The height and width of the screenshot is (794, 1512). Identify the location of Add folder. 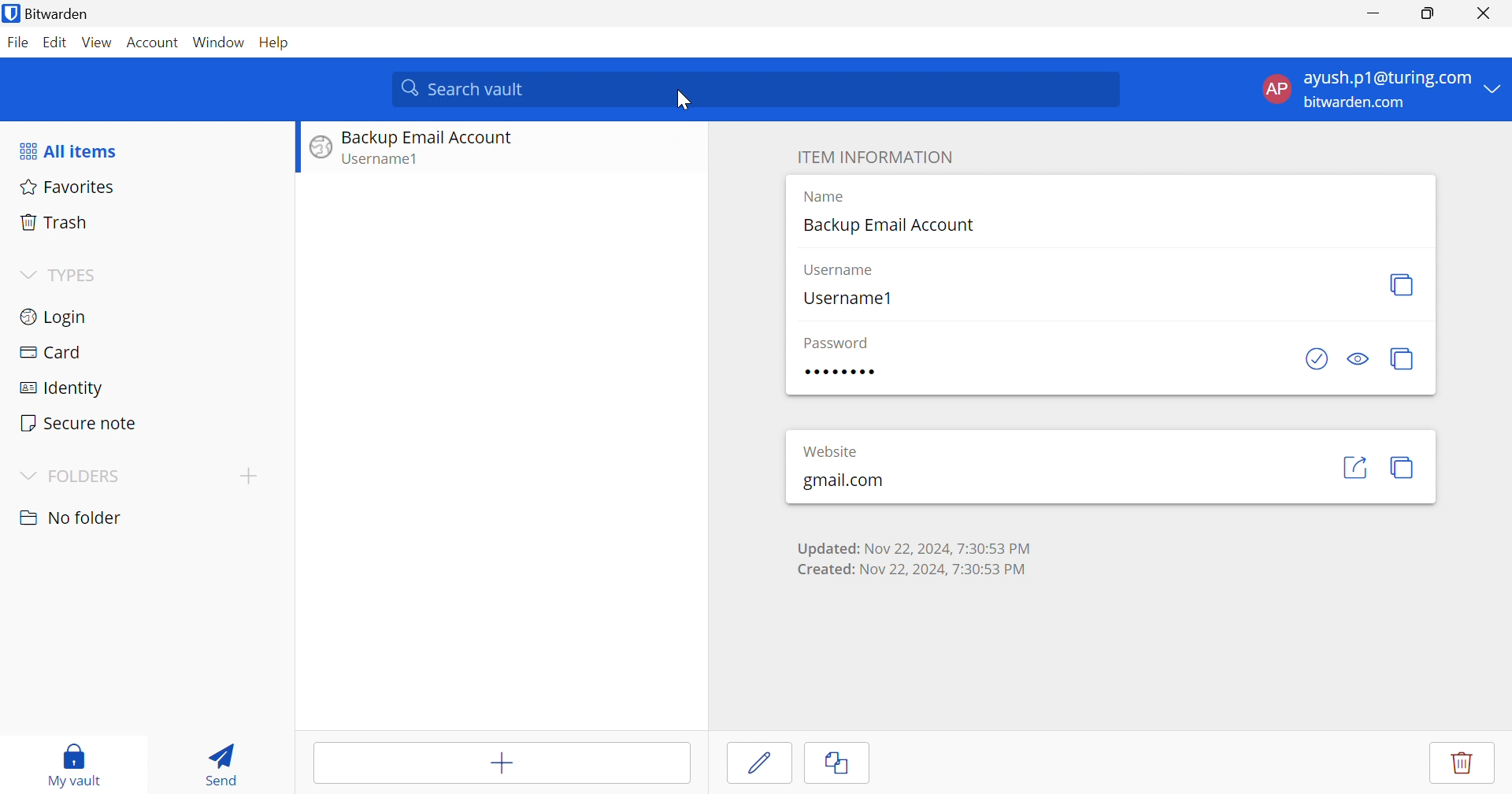
(249, 477).